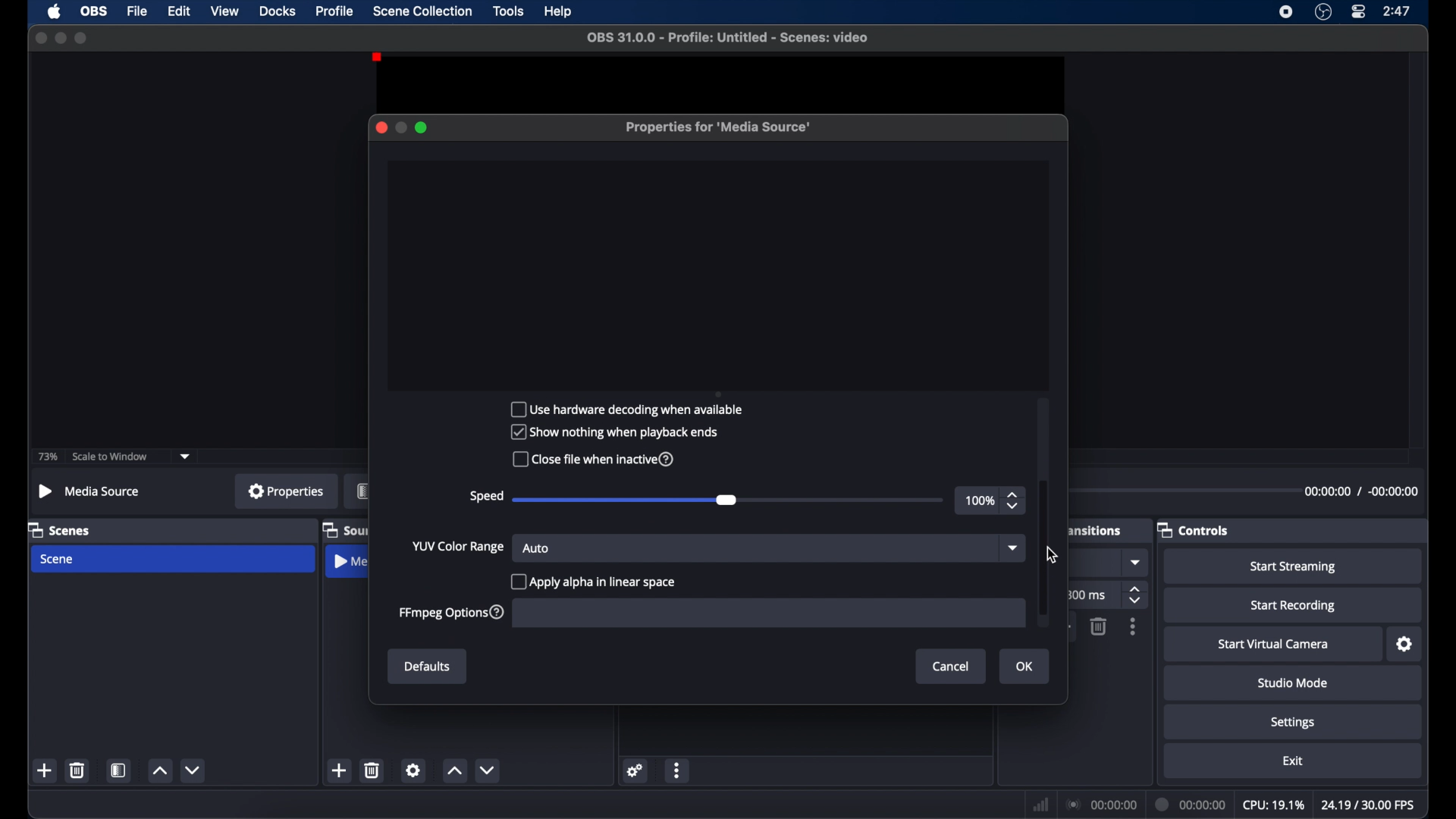  What do you see at coordinates (59, 531) in the screenshot?
I see `scenes` at bounding box center [59, 531].